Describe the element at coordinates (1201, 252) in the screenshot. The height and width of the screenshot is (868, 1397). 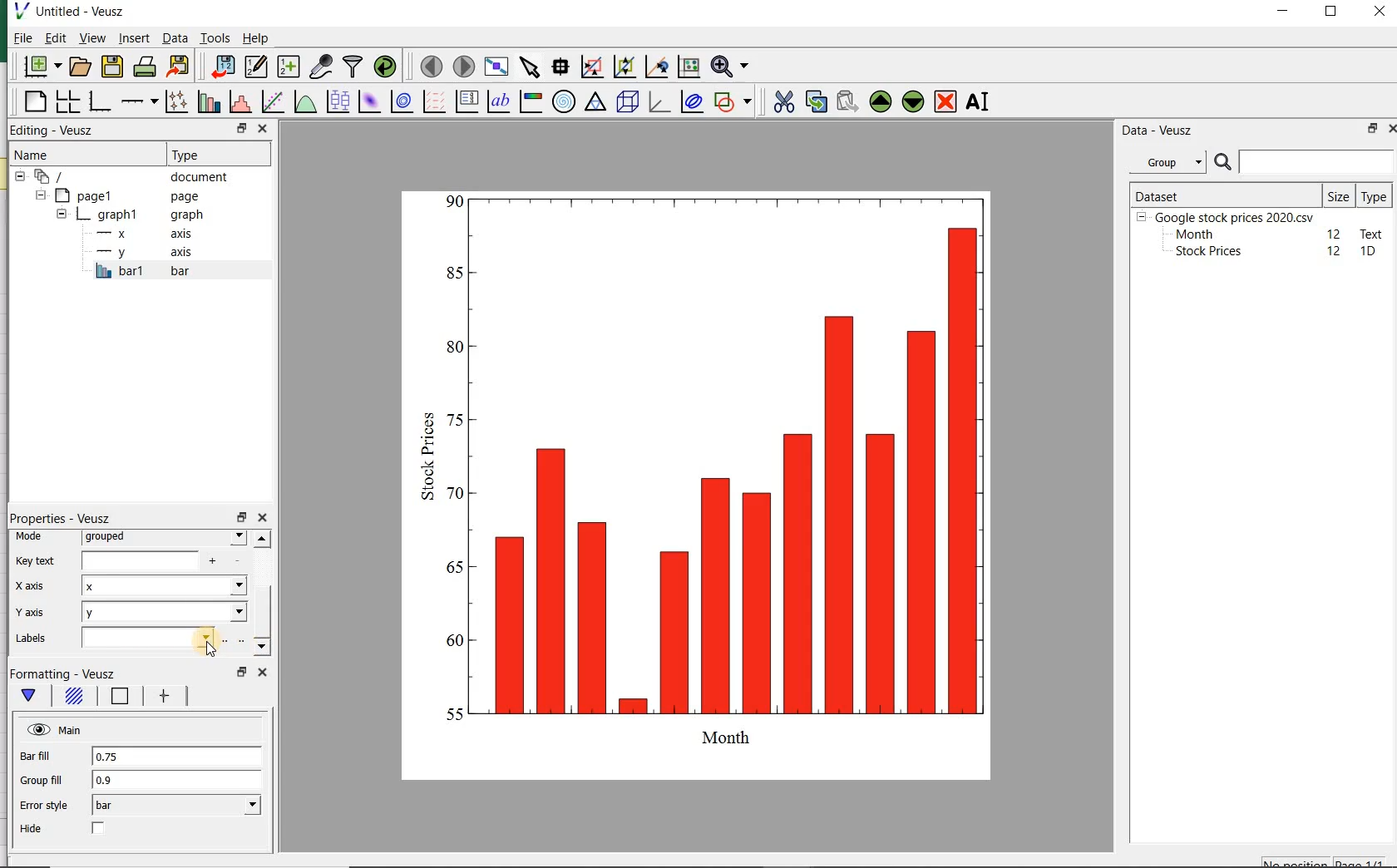
I see `Stock prices` at that location.